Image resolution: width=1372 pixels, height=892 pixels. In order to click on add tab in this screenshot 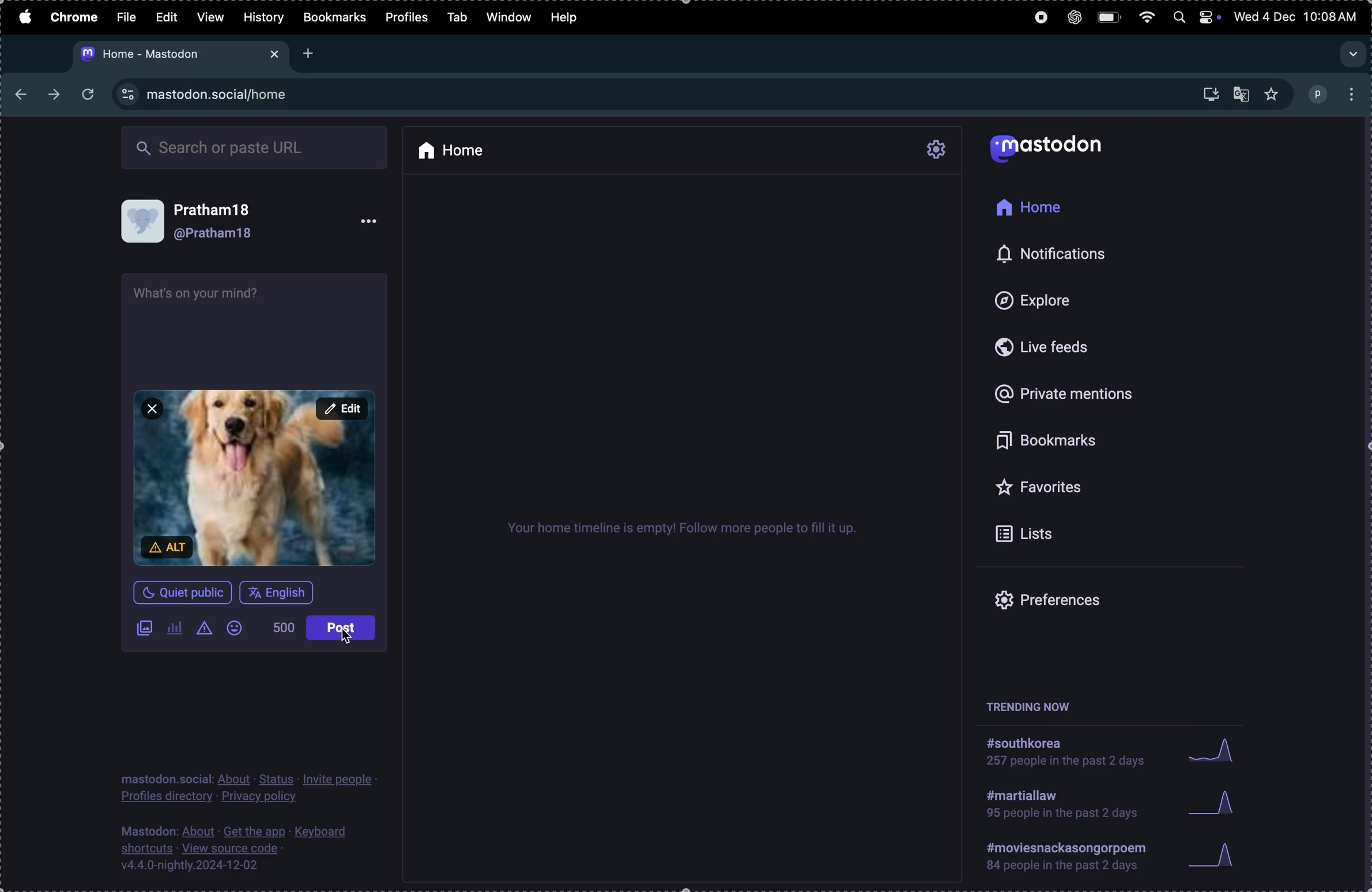, I will do `click(309, 53)`.